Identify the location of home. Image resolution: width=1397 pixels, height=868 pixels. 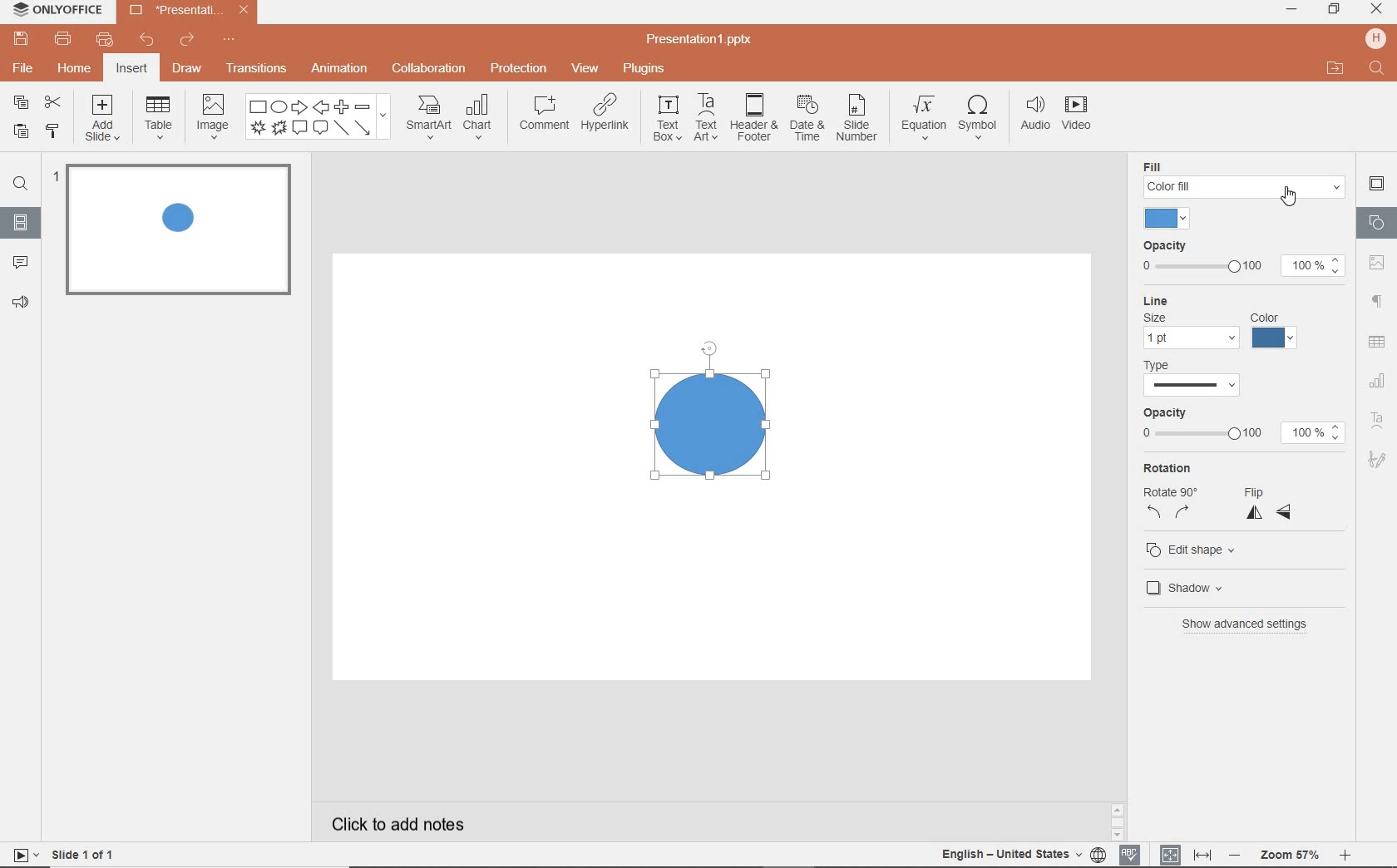
(77, 69).